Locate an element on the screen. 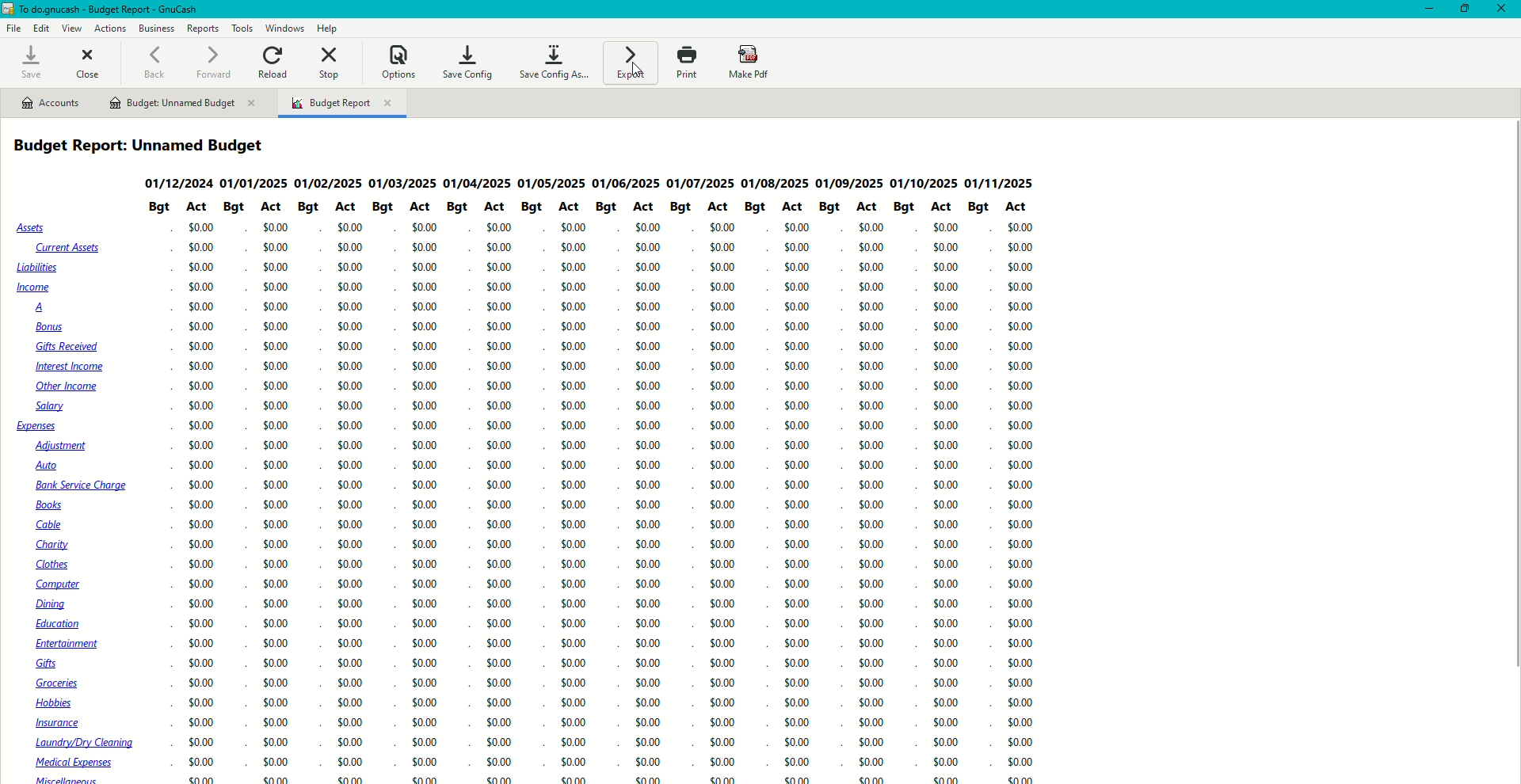 Image resolution: width=1521 pixels, height=784 pixels. $0.00 is located at coordinates (575, 526).